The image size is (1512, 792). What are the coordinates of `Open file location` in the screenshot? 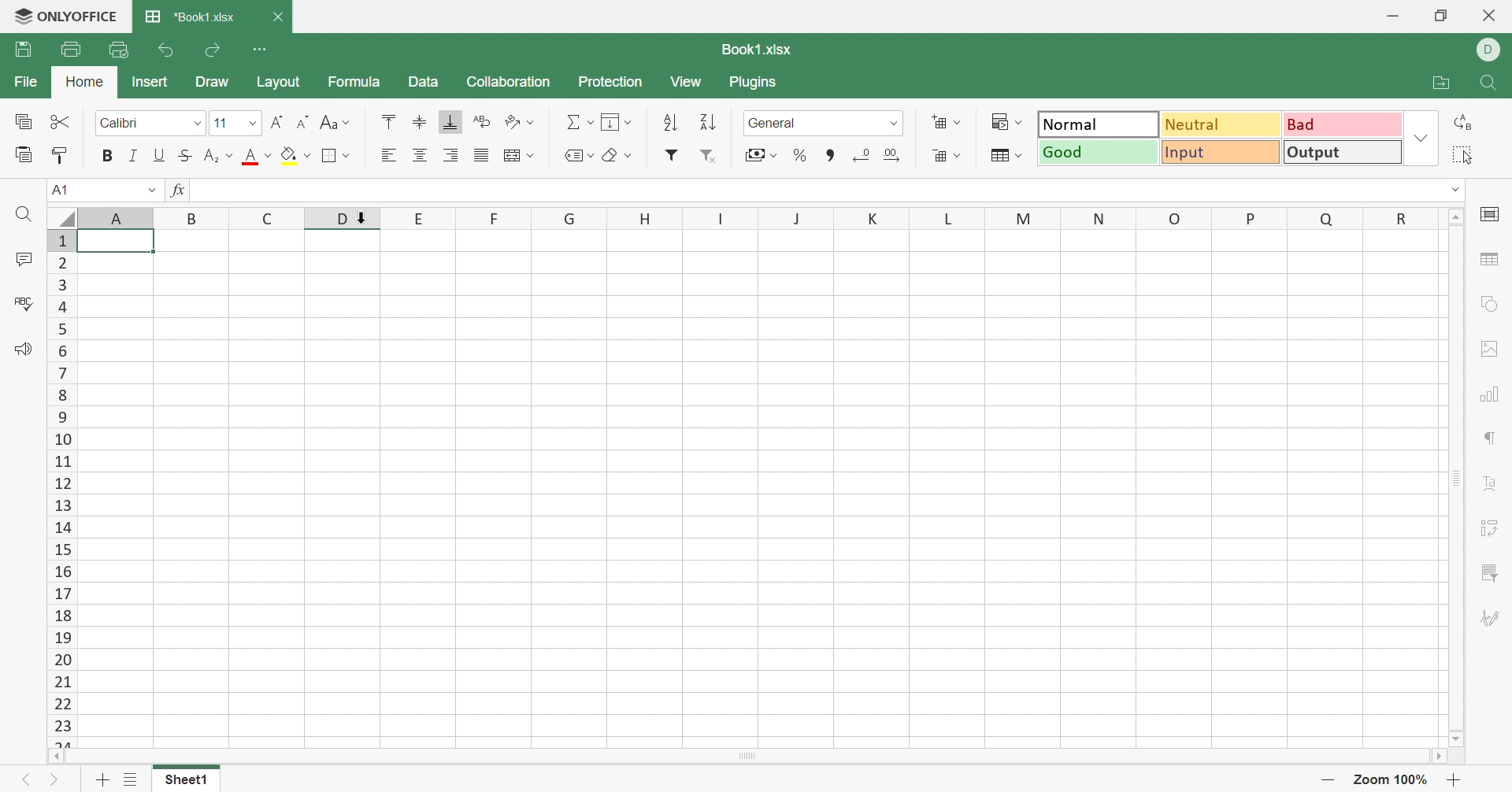 It's located at (1436, 81).